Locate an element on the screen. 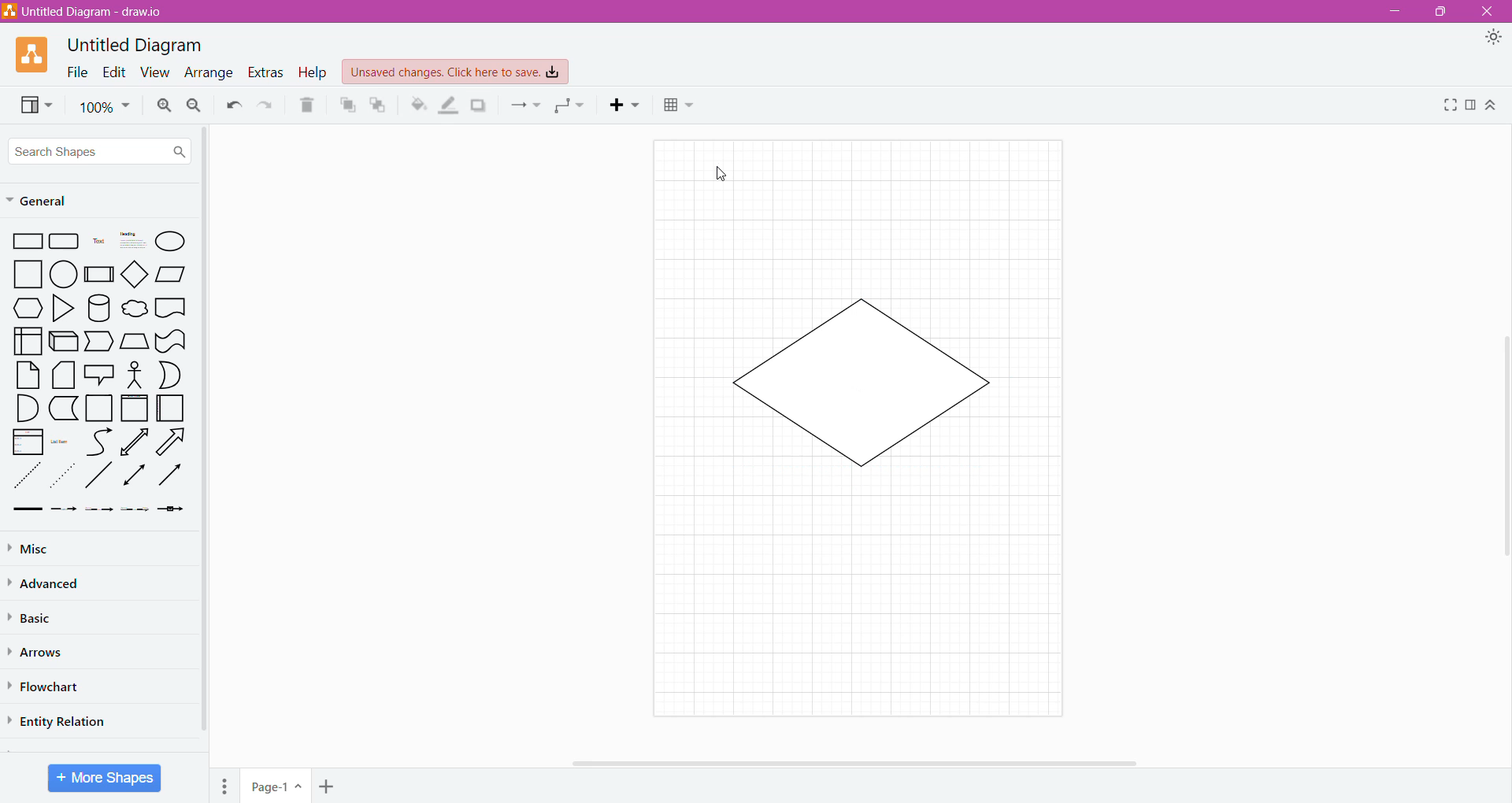 This screenshot has width=1512, height=803. Basic is located at coordinates (35, 616).